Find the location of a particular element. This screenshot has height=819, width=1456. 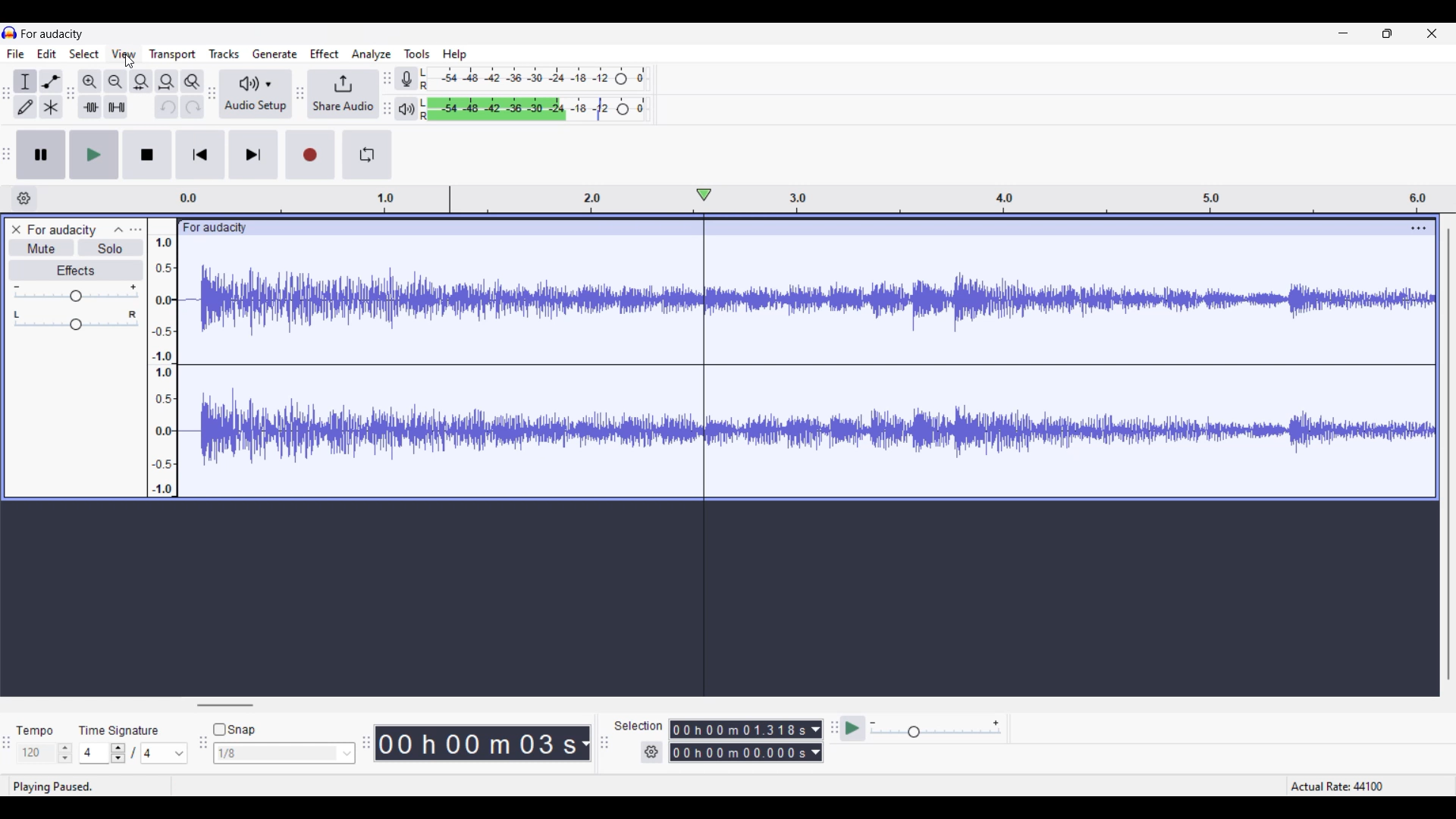

Silence audio selection is located at coordinates (117, 107).